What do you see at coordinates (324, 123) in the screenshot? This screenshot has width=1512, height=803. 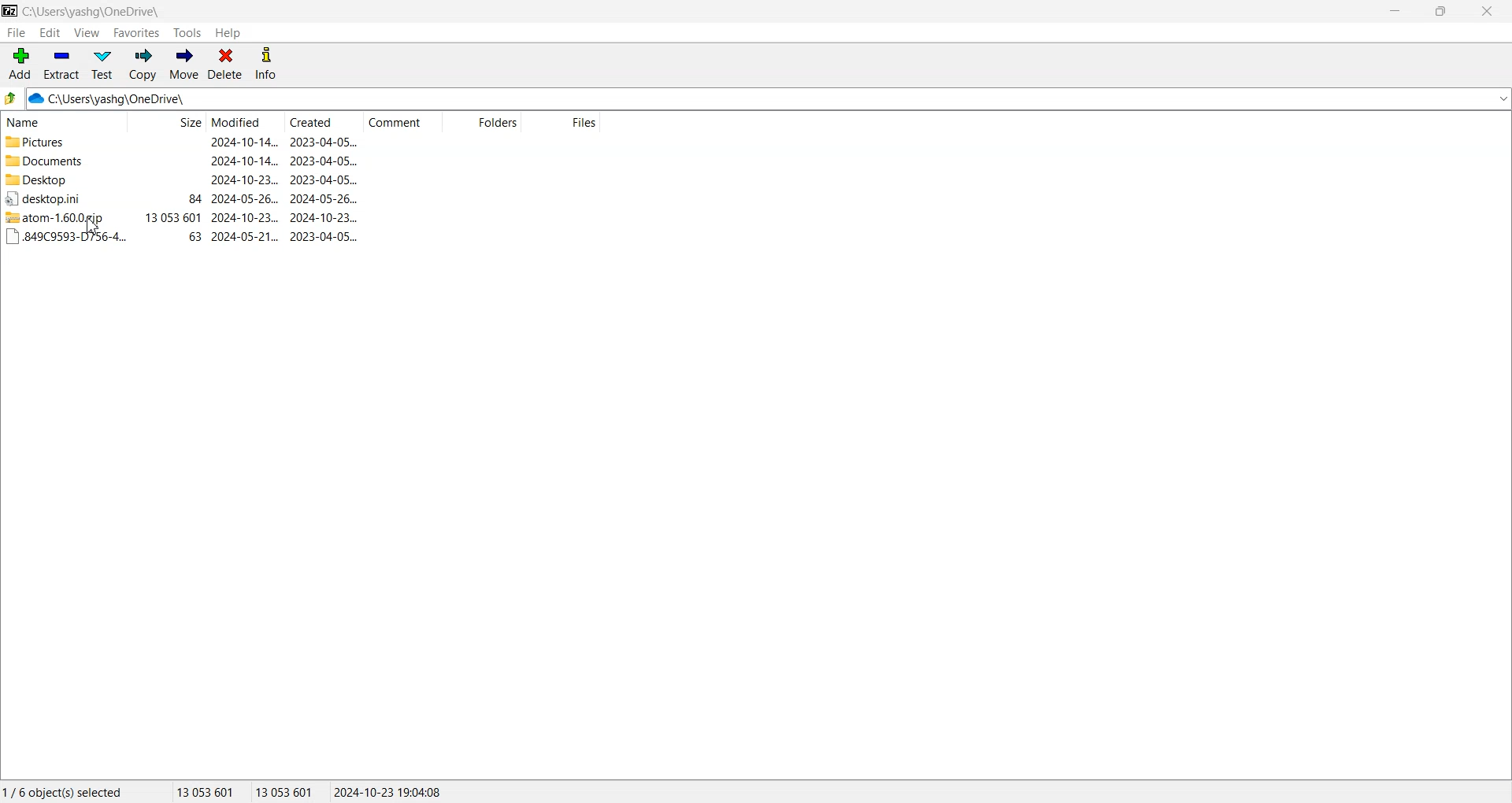 I see `Created Date` at bounding box center [324, 123].